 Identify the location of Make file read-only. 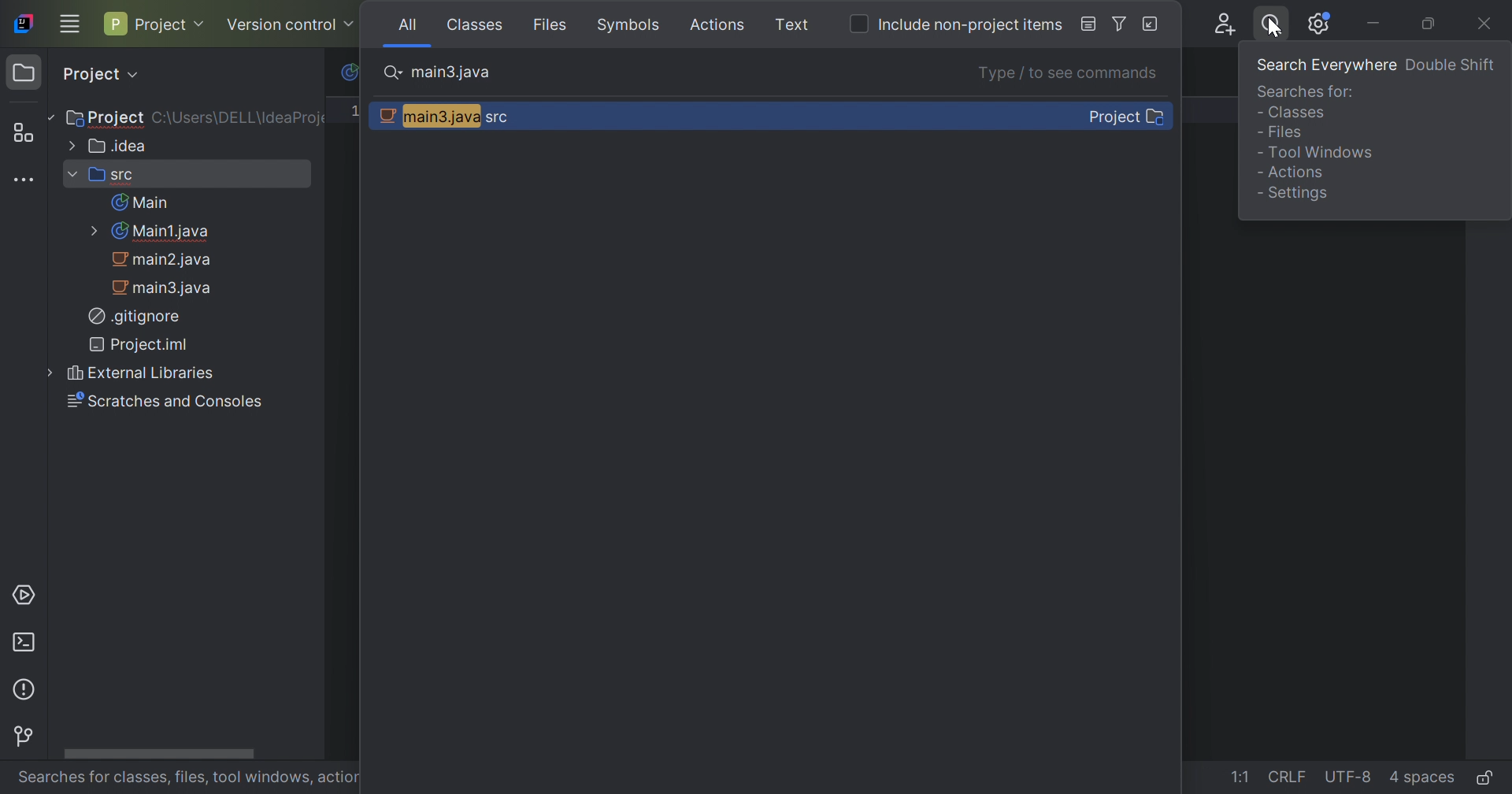
(1488, 781).